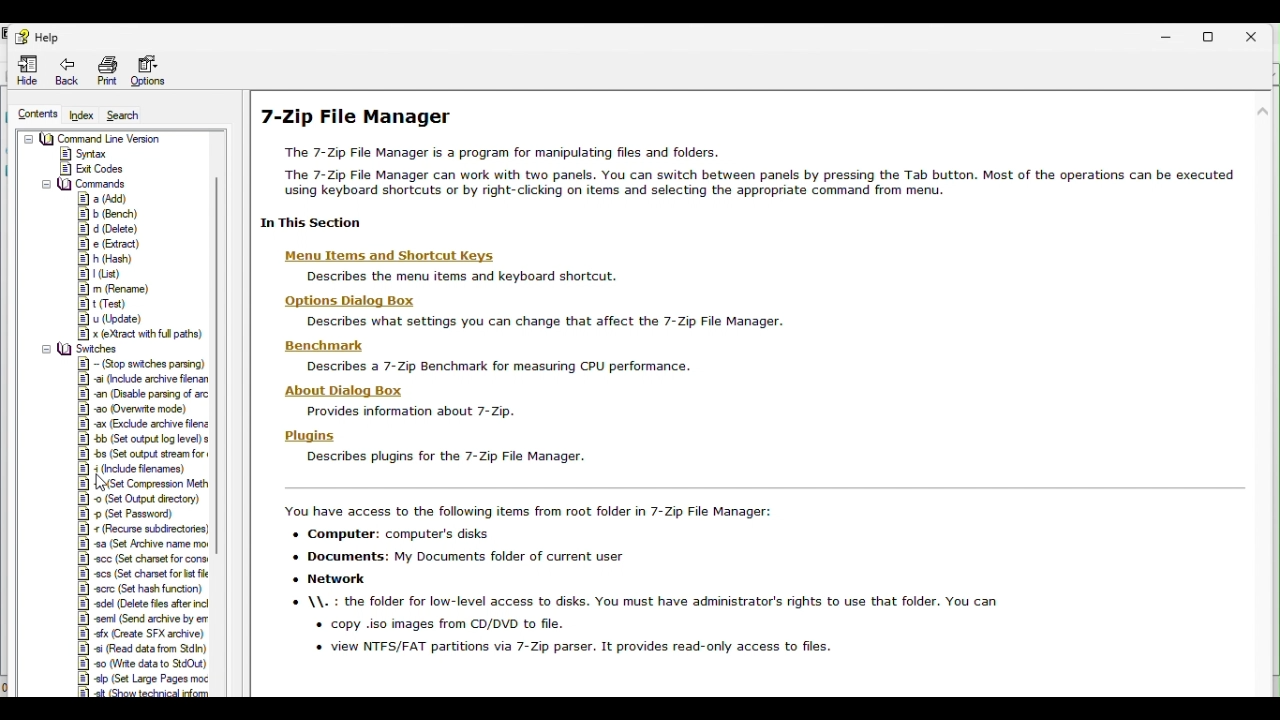 This screenshot has width=1280, height=720. Describe the element at coordinates (502, 367) in the screenshot. I see `description text` at that location.